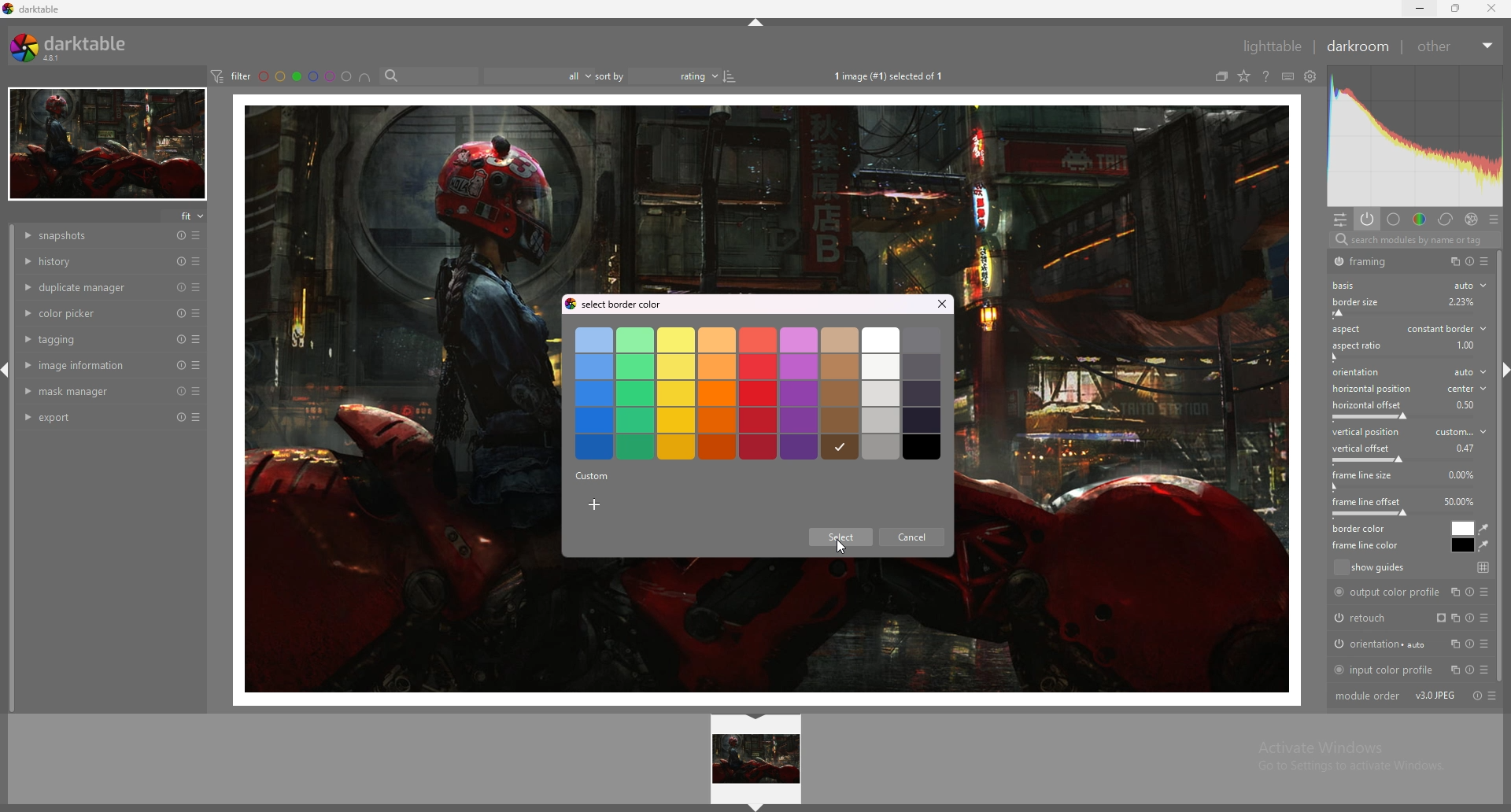 This screenshot has width=1511, height=812. Describe the element at coordinates (593, 475) in the screenshot. I see `custom` at that location.